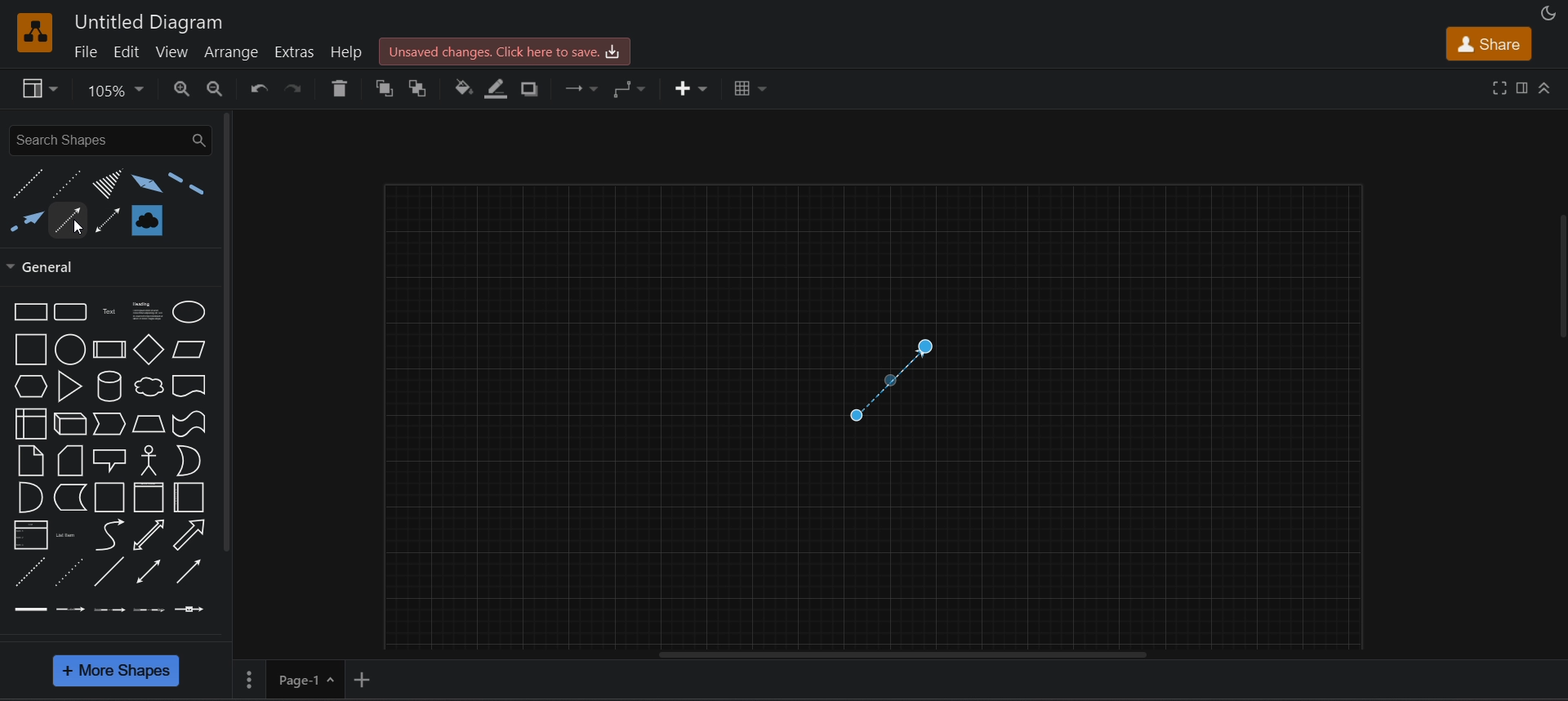  I want to click on line, so click(108, 571).